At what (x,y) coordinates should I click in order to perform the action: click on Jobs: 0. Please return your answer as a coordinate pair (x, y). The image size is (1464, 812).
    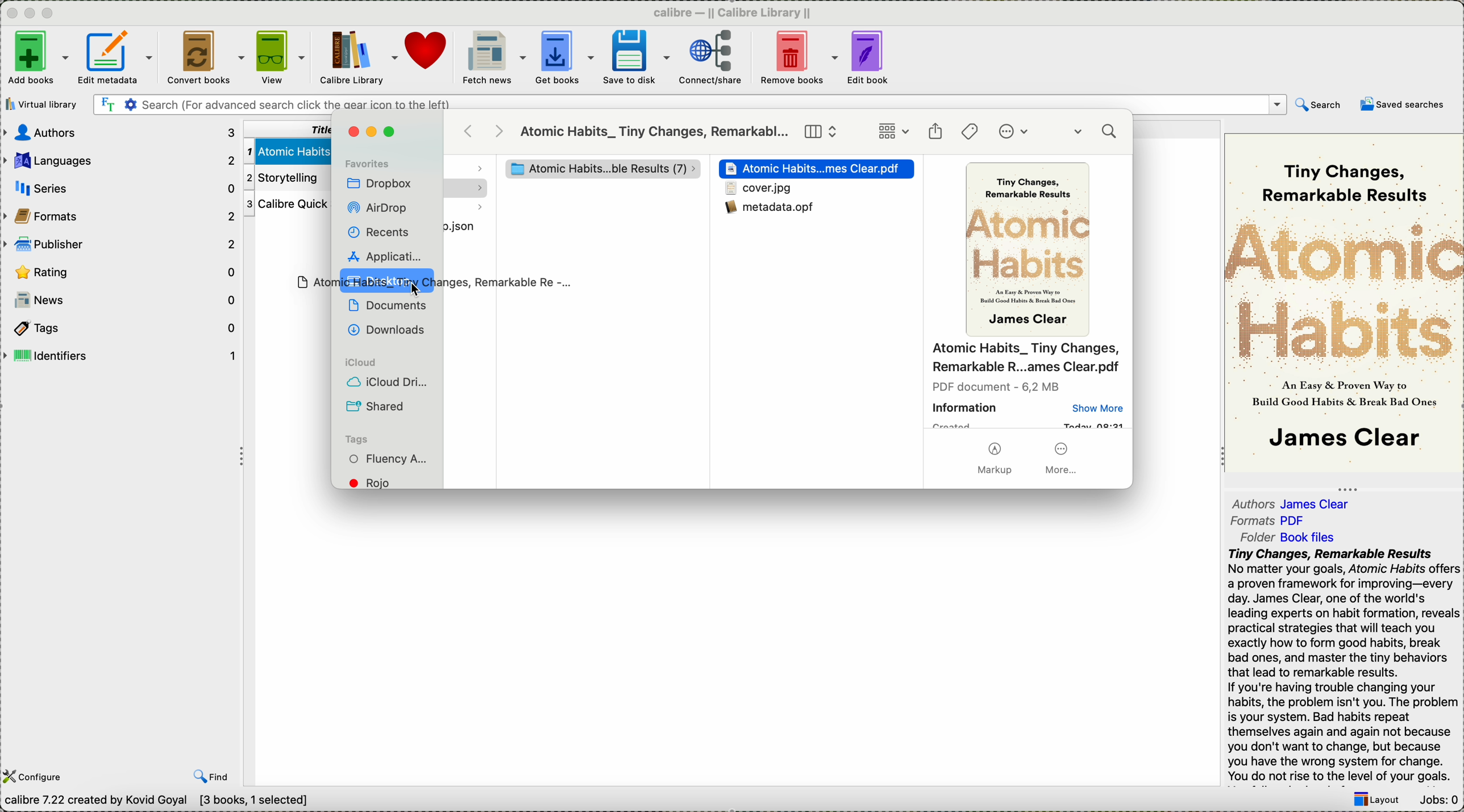
    Looking at the image, I should click on (1437, 801).